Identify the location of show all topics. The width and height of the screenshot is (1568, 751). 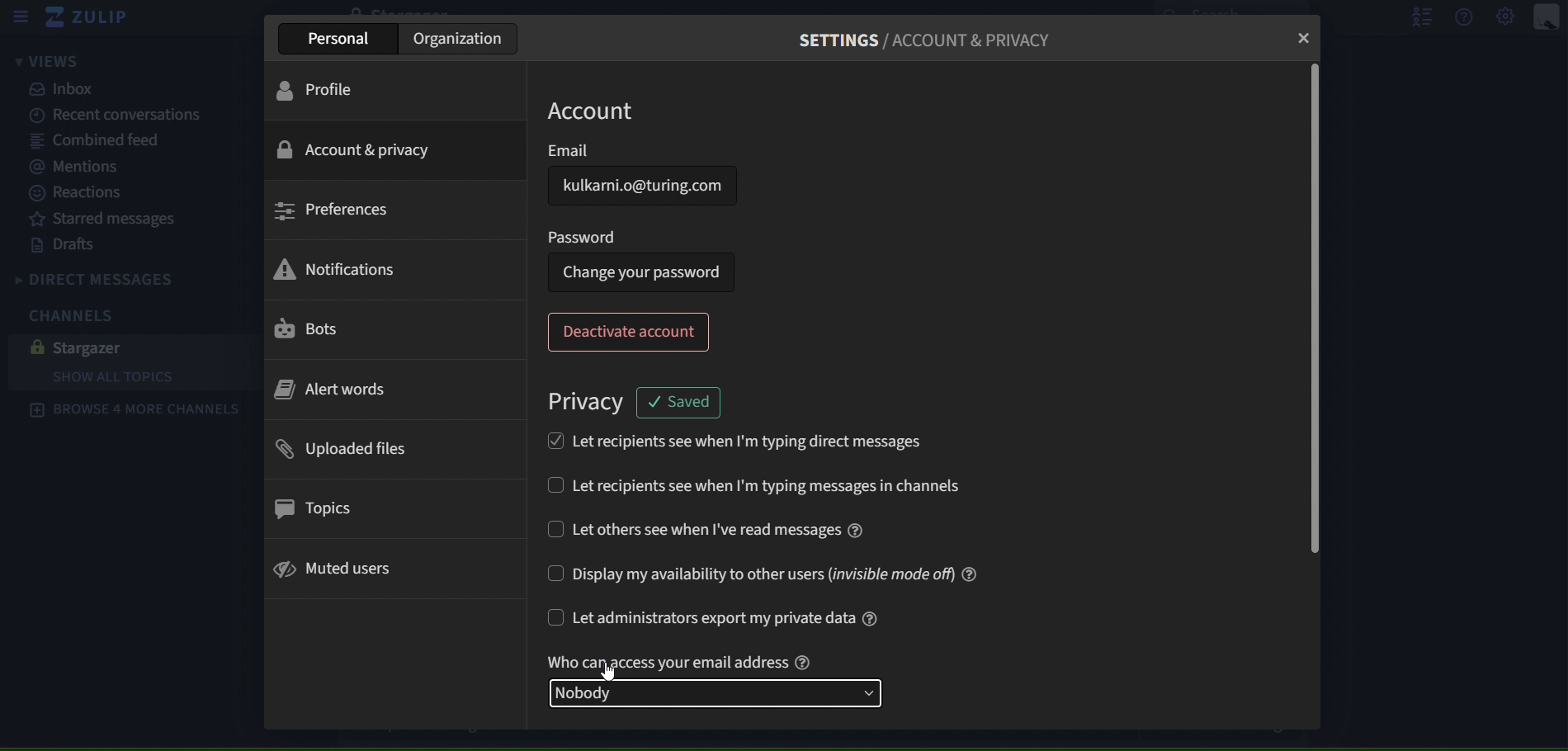
(143, 378).